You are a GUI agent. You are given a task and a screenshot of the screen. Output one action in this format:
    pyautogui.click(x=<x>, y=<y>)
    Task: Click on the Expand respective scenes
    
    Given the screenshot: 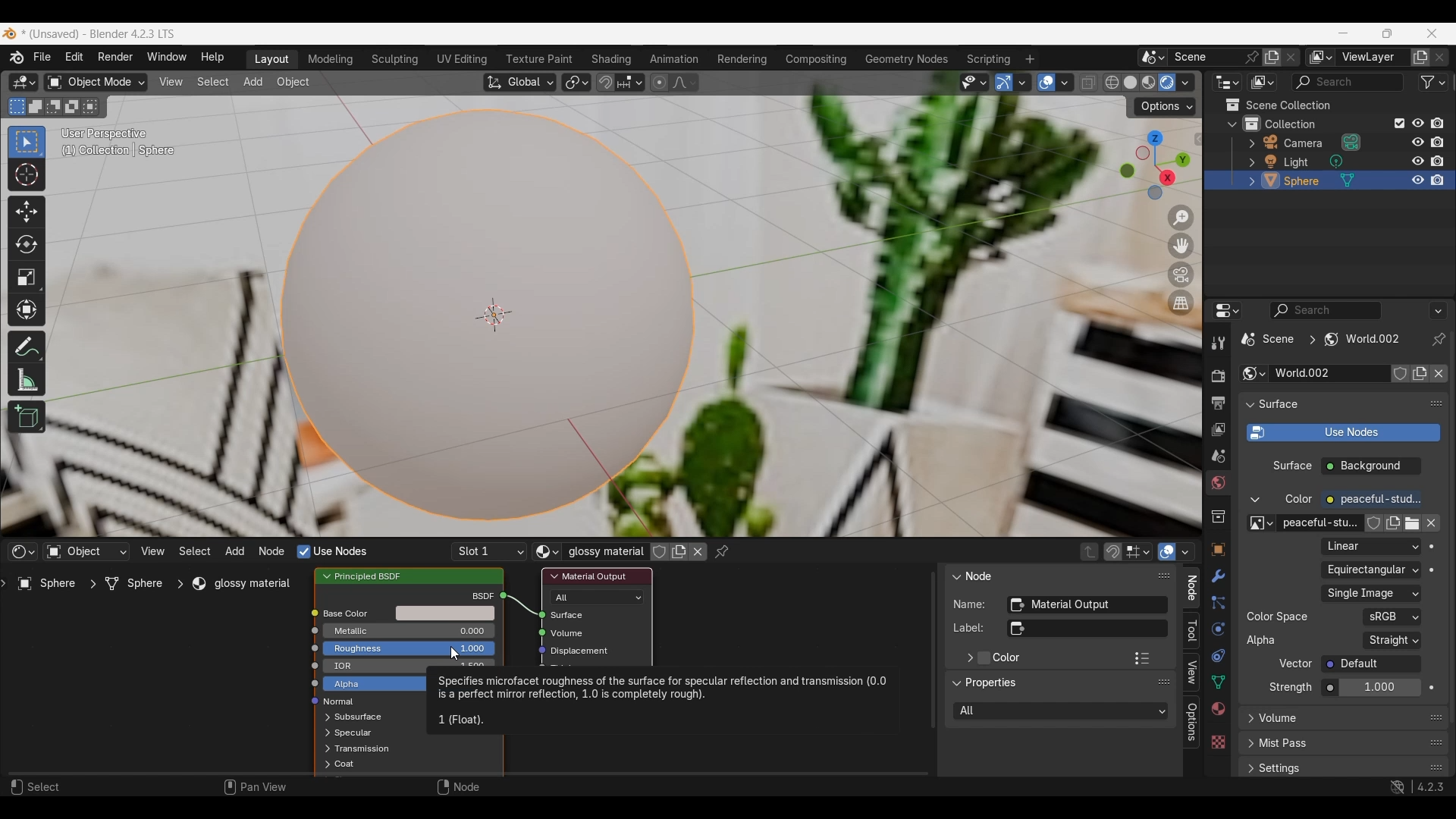 What is the action you would take?
    pyautogui.click(x=1247, y=146)
    